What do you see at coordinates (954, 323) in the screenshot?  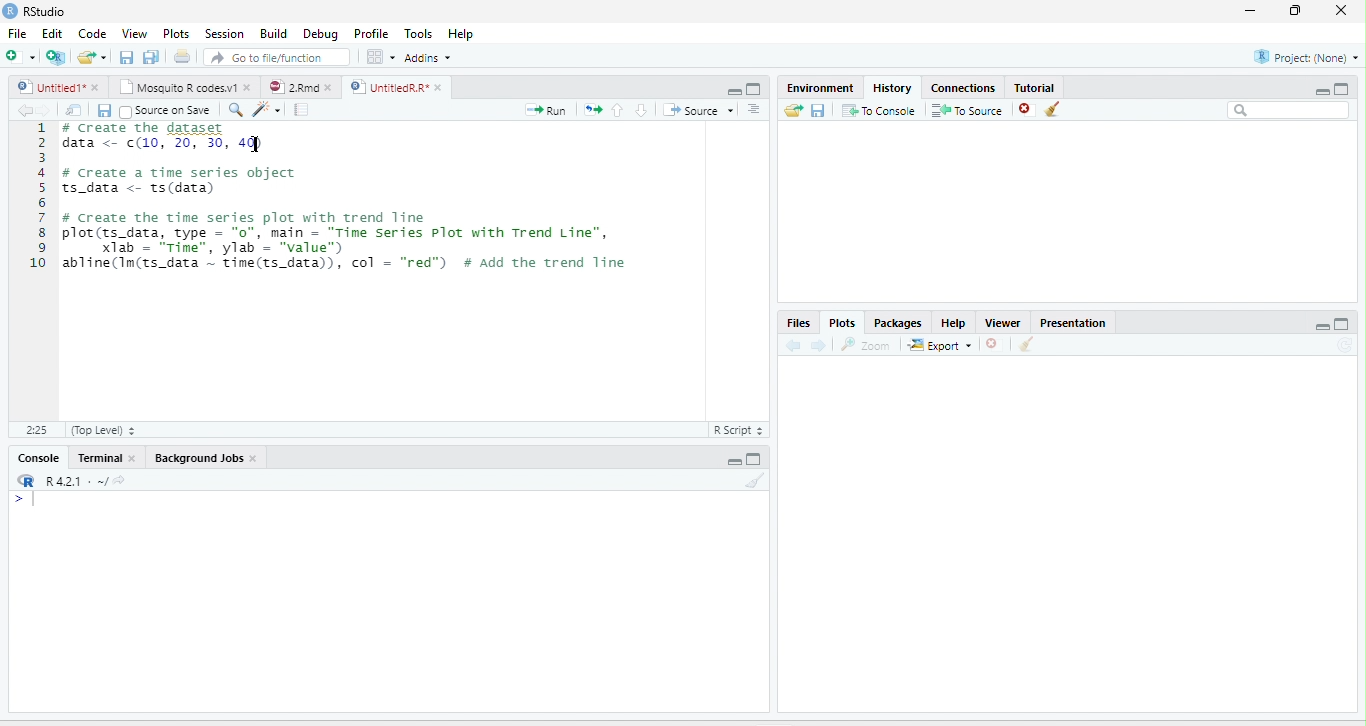 I see `Help` at bounding box center [954, 323].